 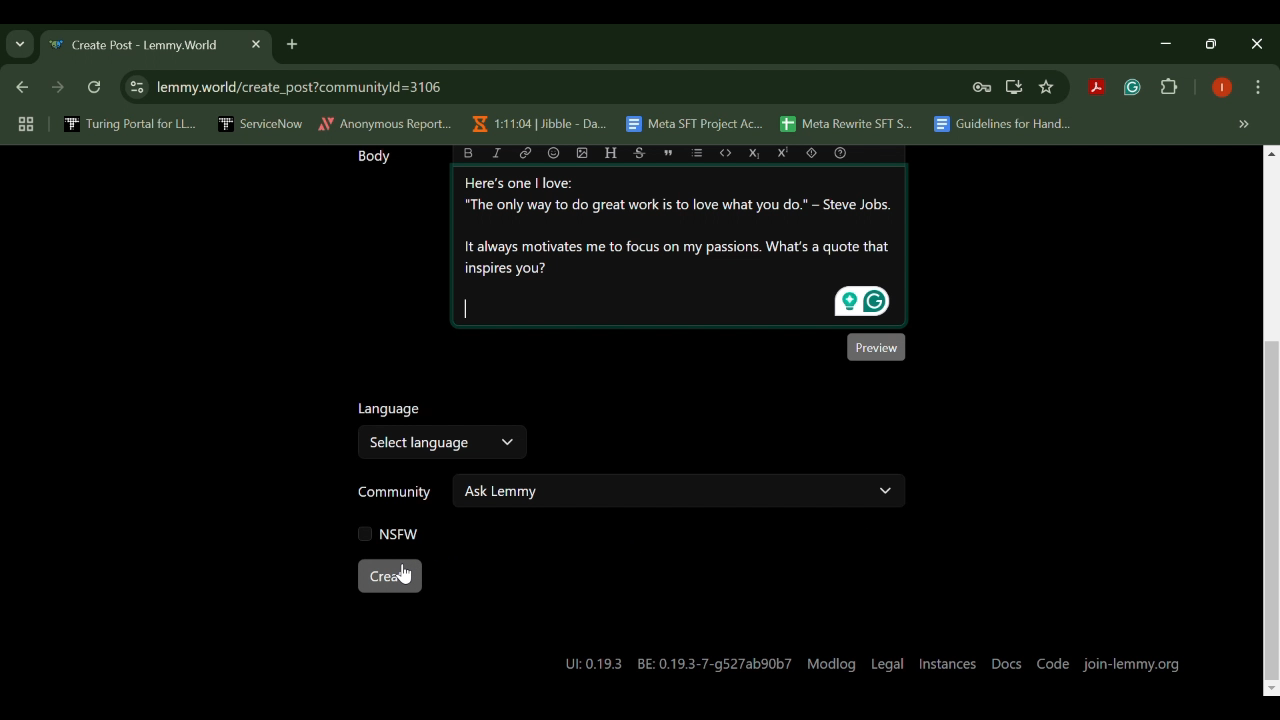 What do you see at coordinates (498, 153) in the screenshot?
I see `italic` at bounding box center [498, 153].